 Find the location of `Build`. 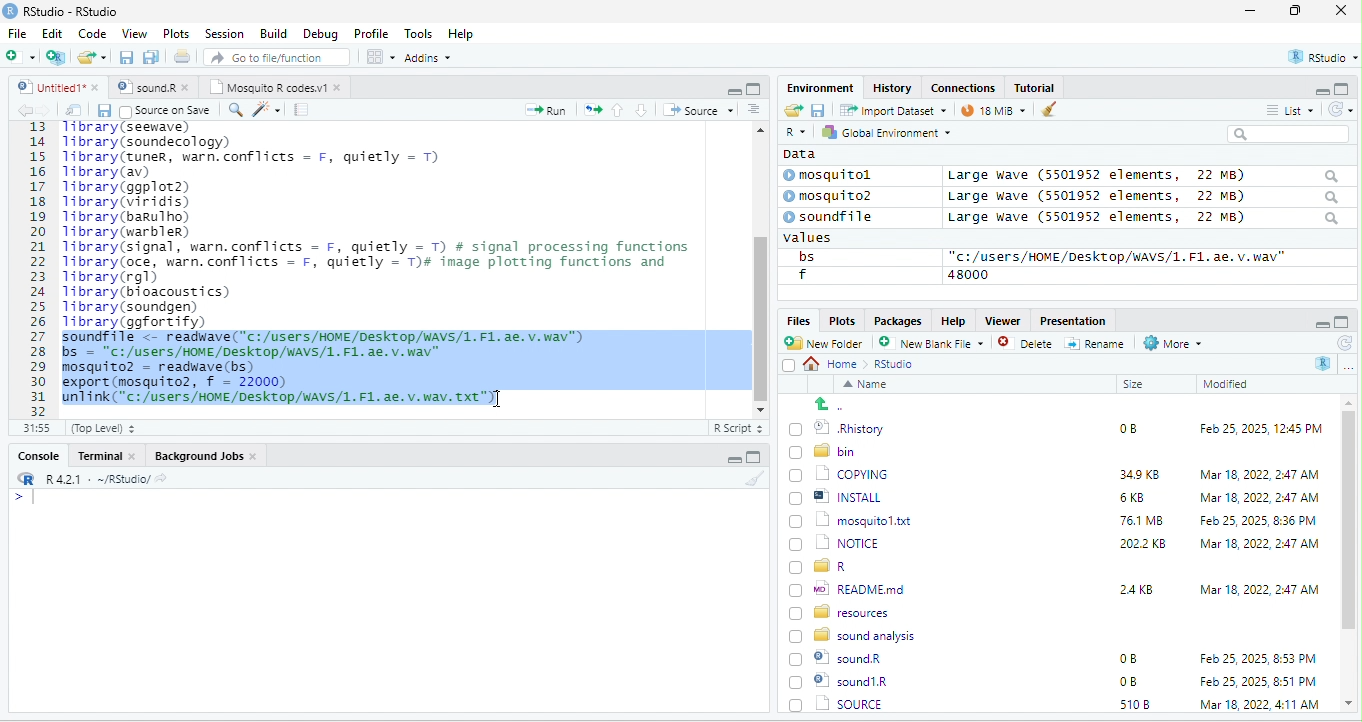

Build is located at coordinates (274, 33).